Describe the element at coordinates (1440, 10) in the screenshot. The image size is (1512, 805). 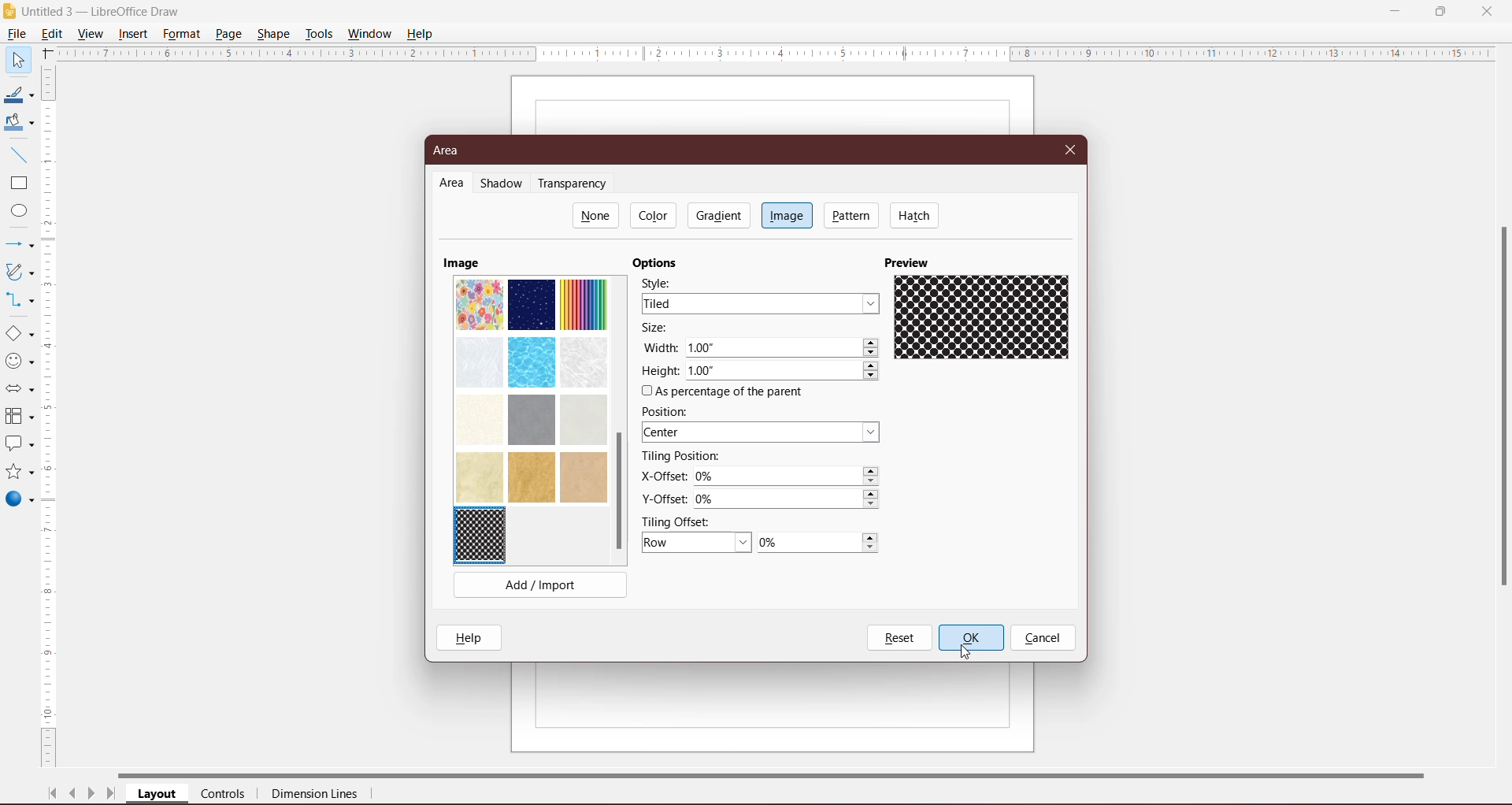
I see `Restore Down` at that location.